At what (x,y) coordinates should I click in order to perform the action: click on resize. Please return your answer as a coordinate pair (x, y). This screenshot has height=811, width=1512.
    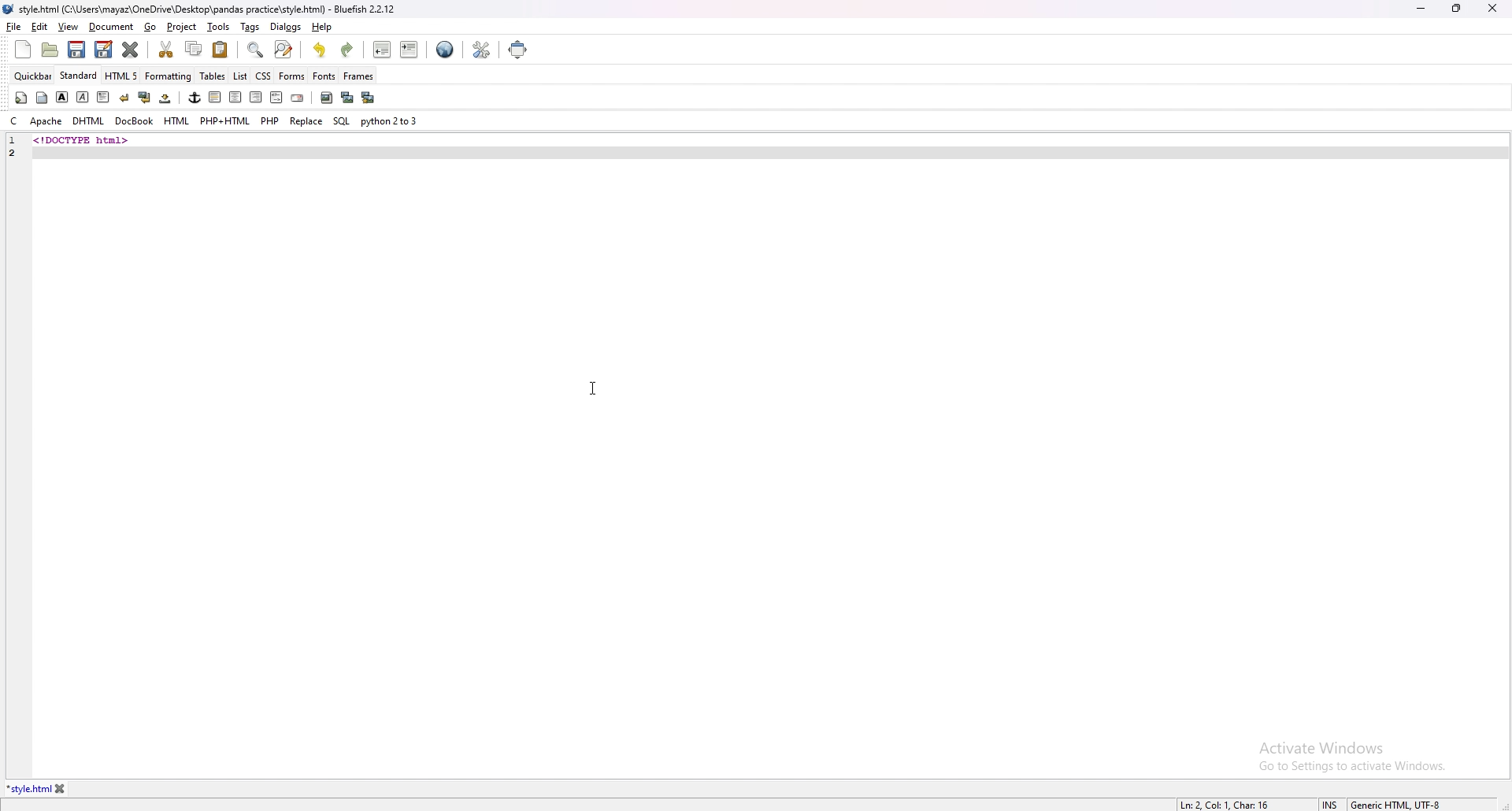
    Looking at the image, I should click on (1456, 8).